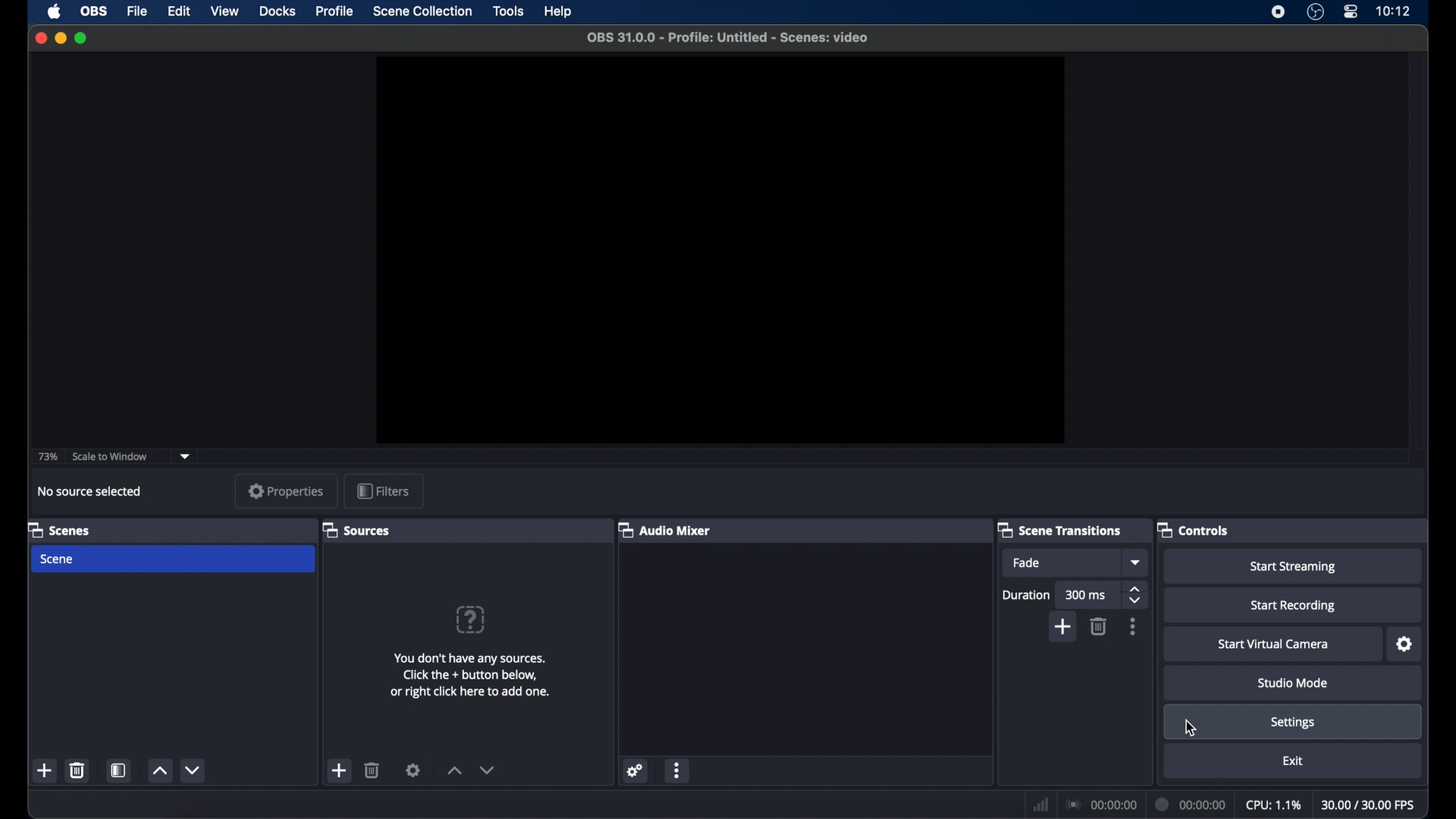 This screenshot has height=819, width=1456. I want to click on duration, so click(1025, 596).